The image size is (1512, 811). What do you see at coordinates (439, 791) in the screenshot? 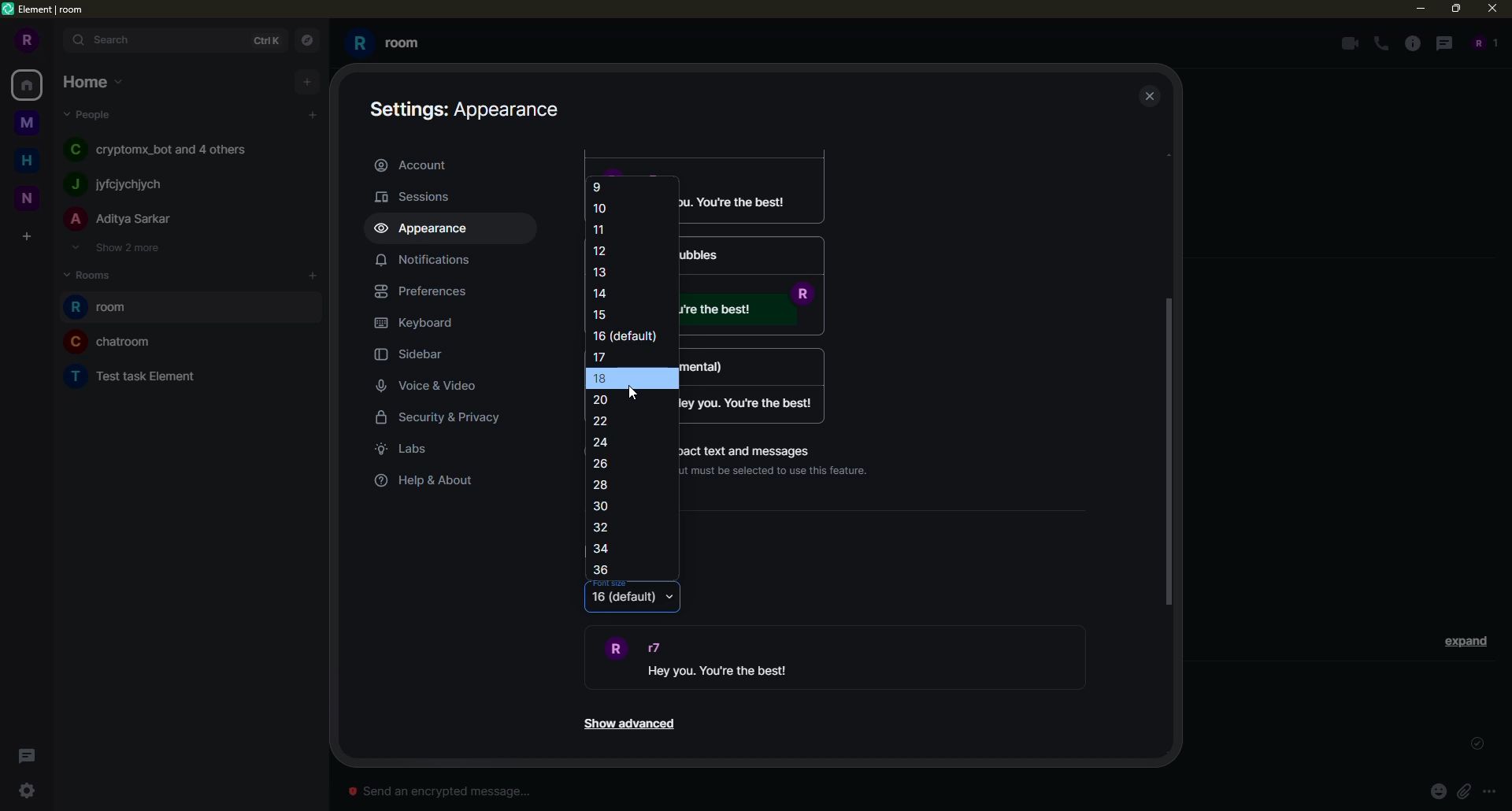
I see ` Send an encrypted message...` at bounding box center [439, 791].